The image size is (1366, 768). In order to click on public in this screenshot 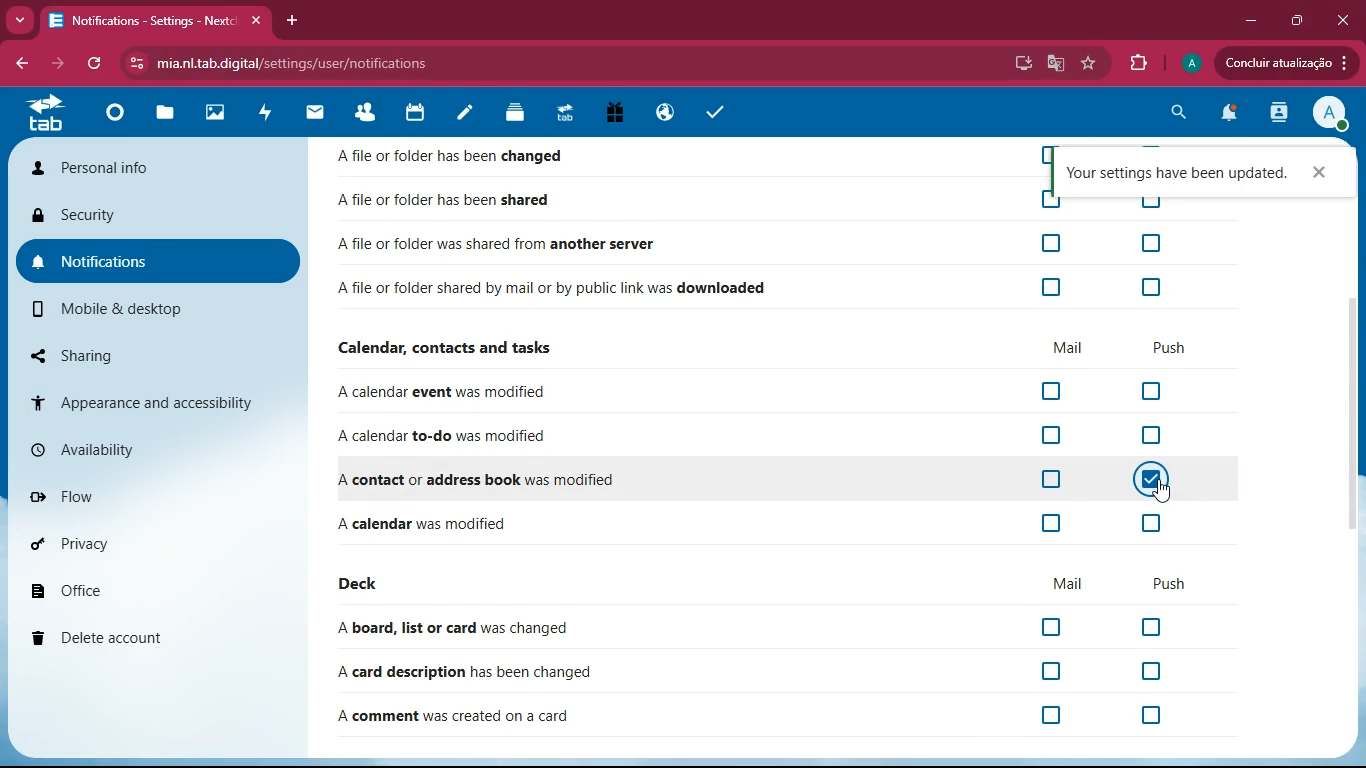, I will do `click(664, 113)`.